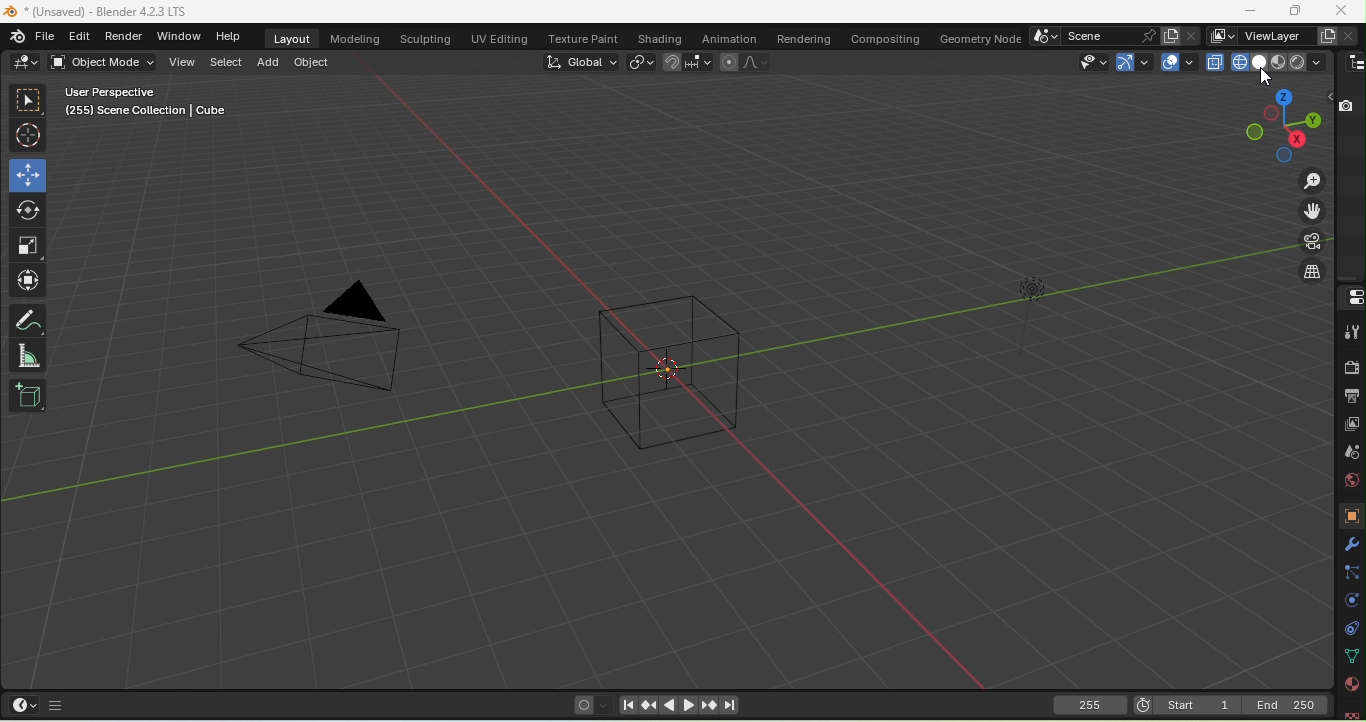 The width and height of the screenshot is (1366, 722). Describe the element at coordinates (28, 210) in the screenshot. I see `Rotate` at that location.